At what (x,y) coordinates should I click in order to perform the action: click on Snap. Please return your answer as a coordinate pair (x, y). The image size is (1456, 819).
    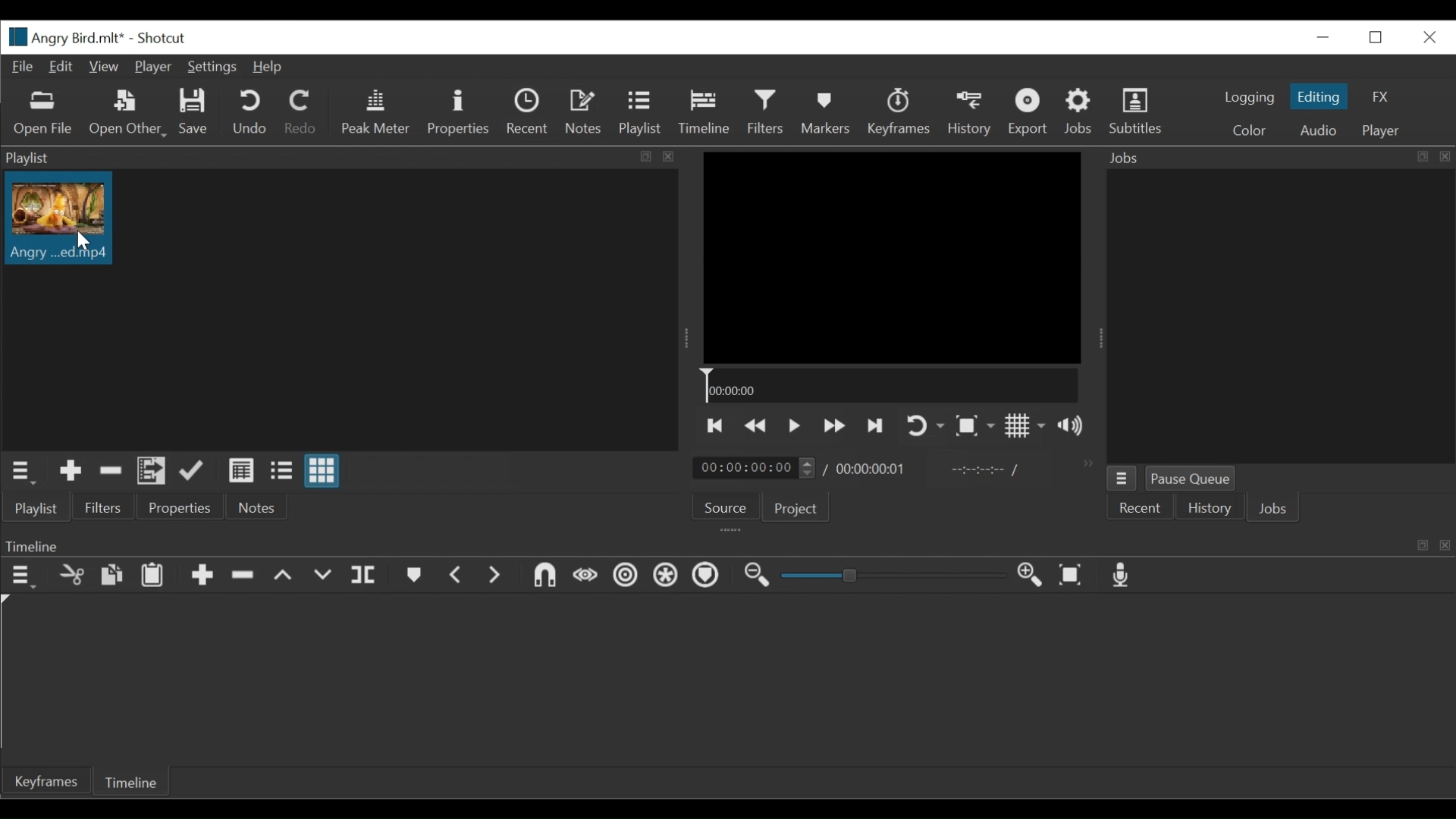
    Looking at the image, I should click on (664, 576).